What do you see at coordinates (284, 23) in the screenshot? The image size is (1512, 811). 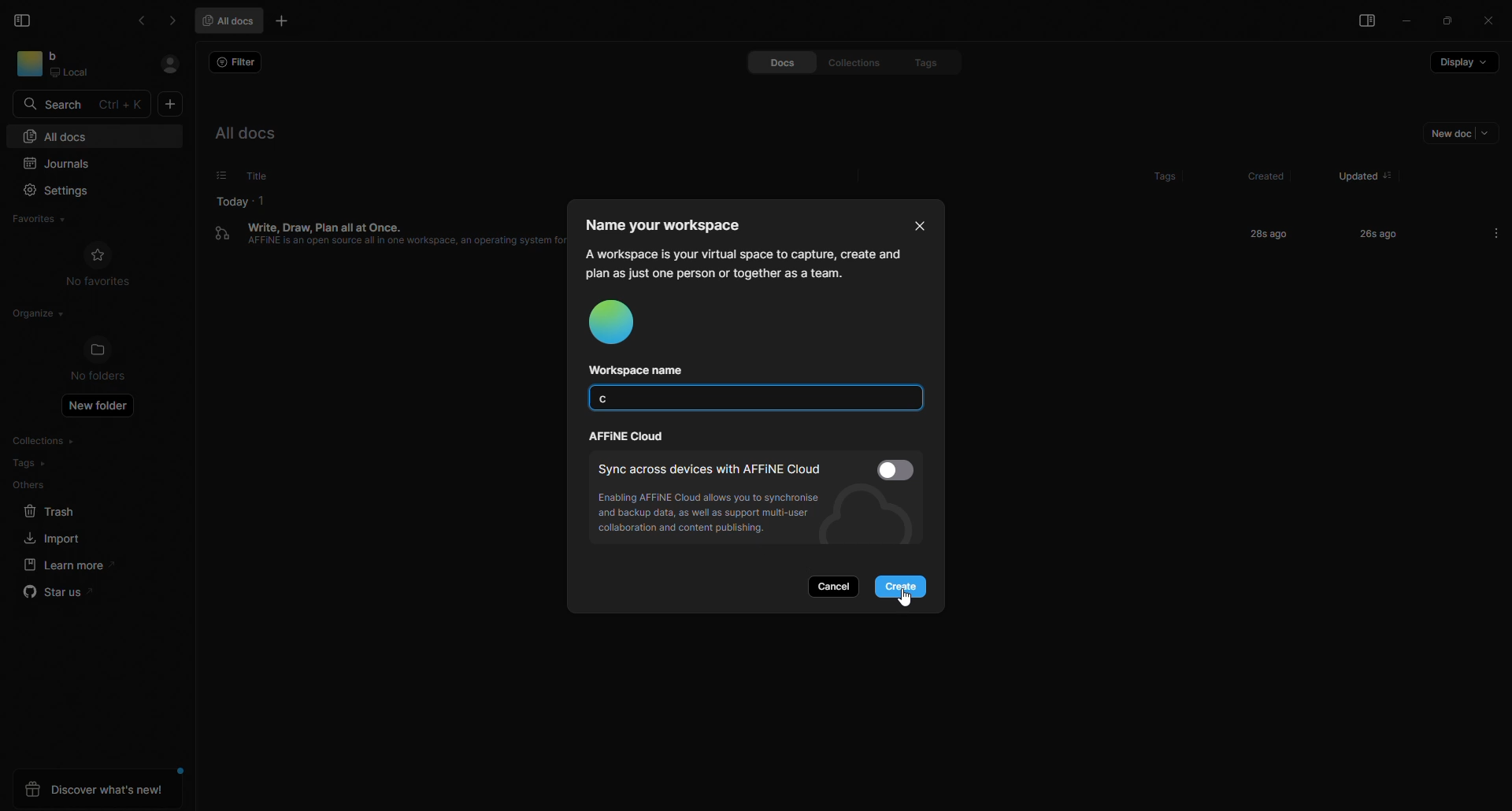 I see `new tab` at bounding box center [284, 23].